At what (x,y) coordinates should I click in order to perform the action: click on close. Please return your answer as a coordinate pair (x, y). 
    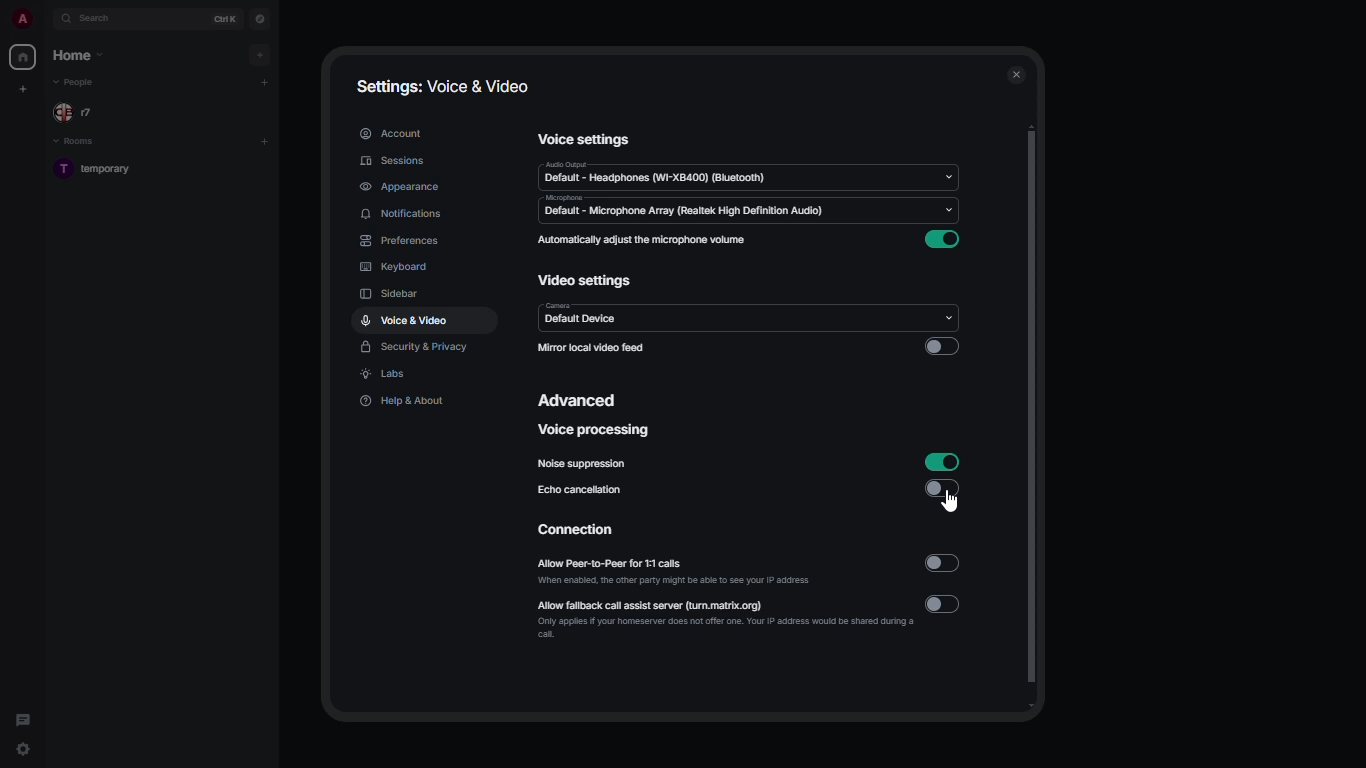
    Looking at the image, I should click on (1016, 76).